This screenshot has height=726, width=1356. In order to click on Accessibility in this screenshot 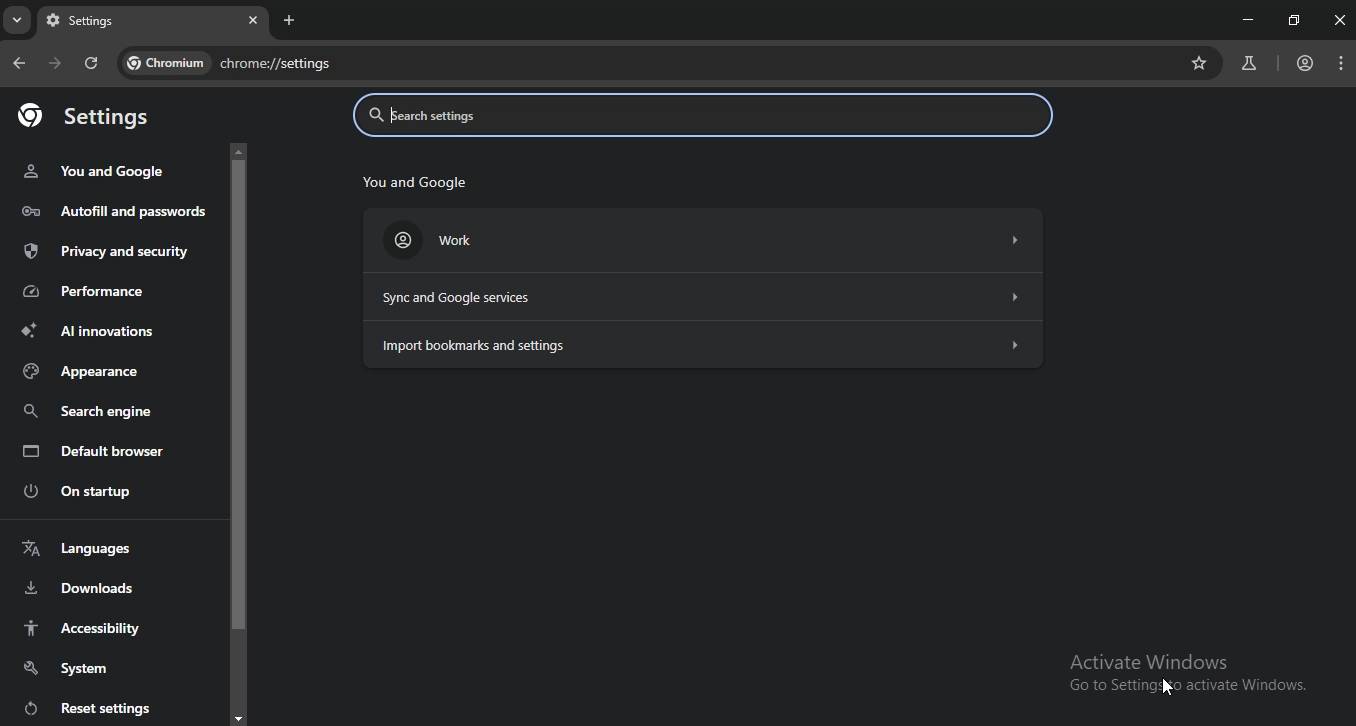, I will do `click(84, 627)`.